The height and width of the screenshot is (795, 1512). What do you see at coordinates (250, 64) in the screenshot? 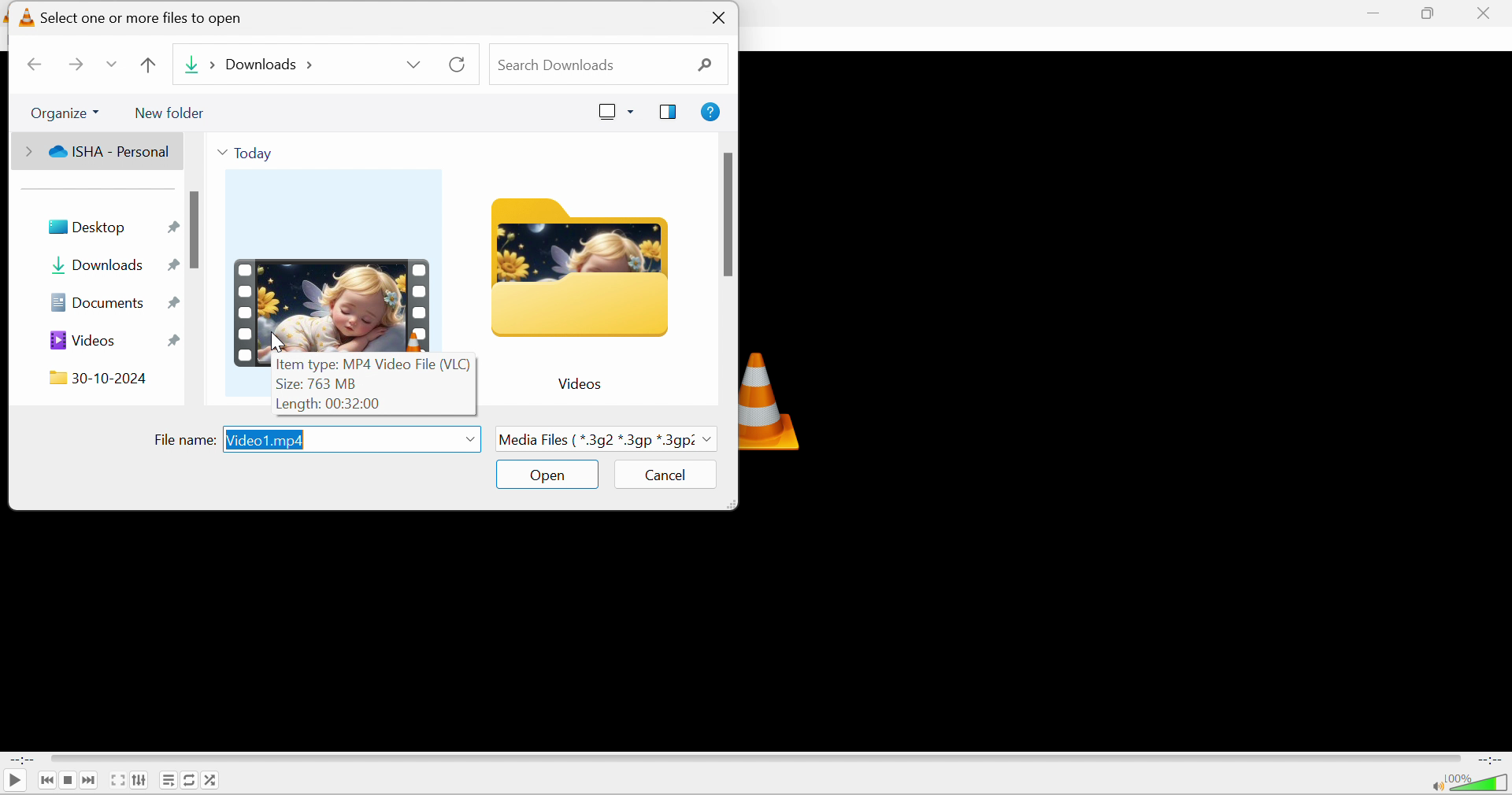
I see `Downloads` at bounding box center [250, 64].